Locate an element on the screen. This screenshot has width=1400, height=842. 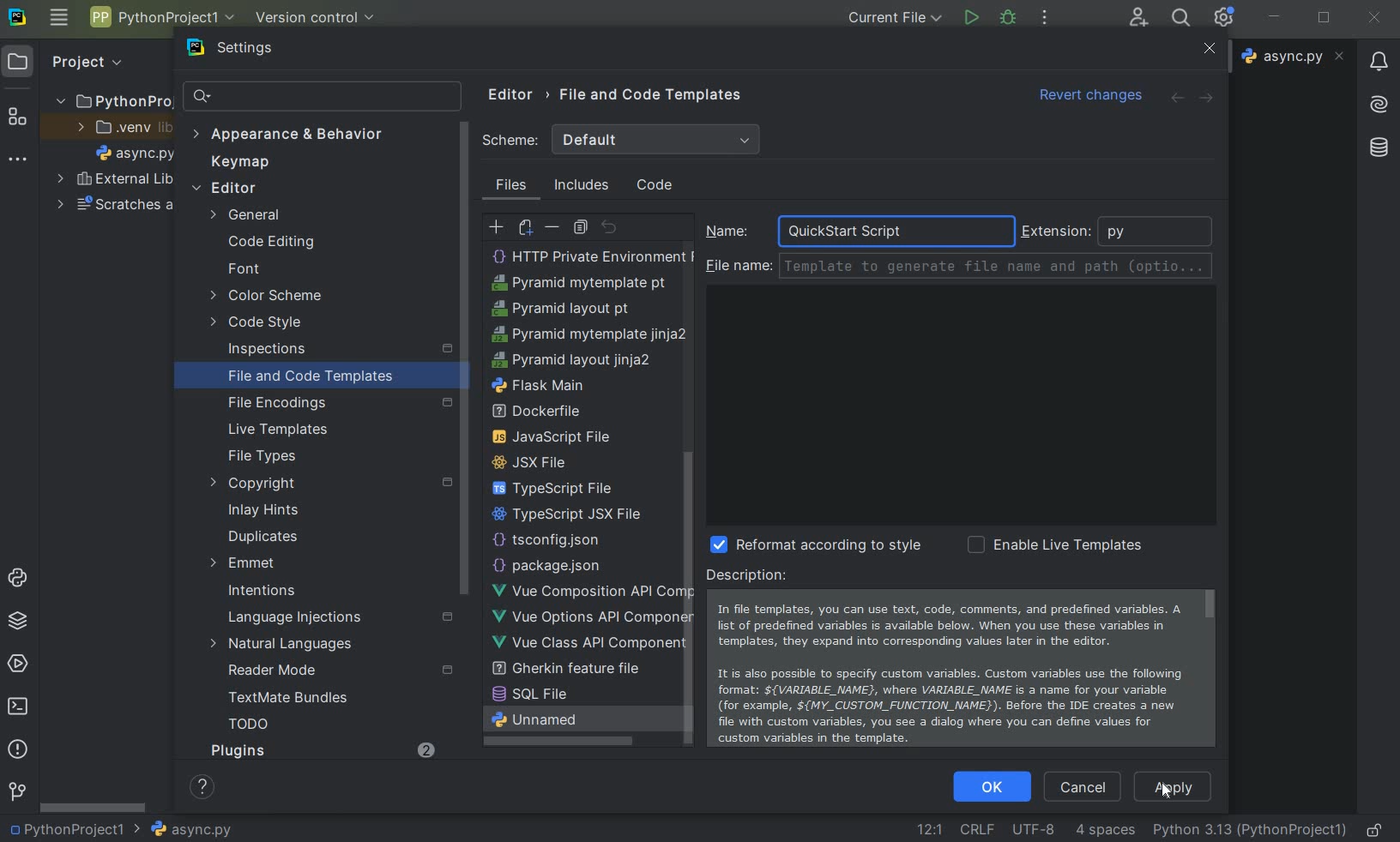
HTML File is located at coordinates (583, 254).